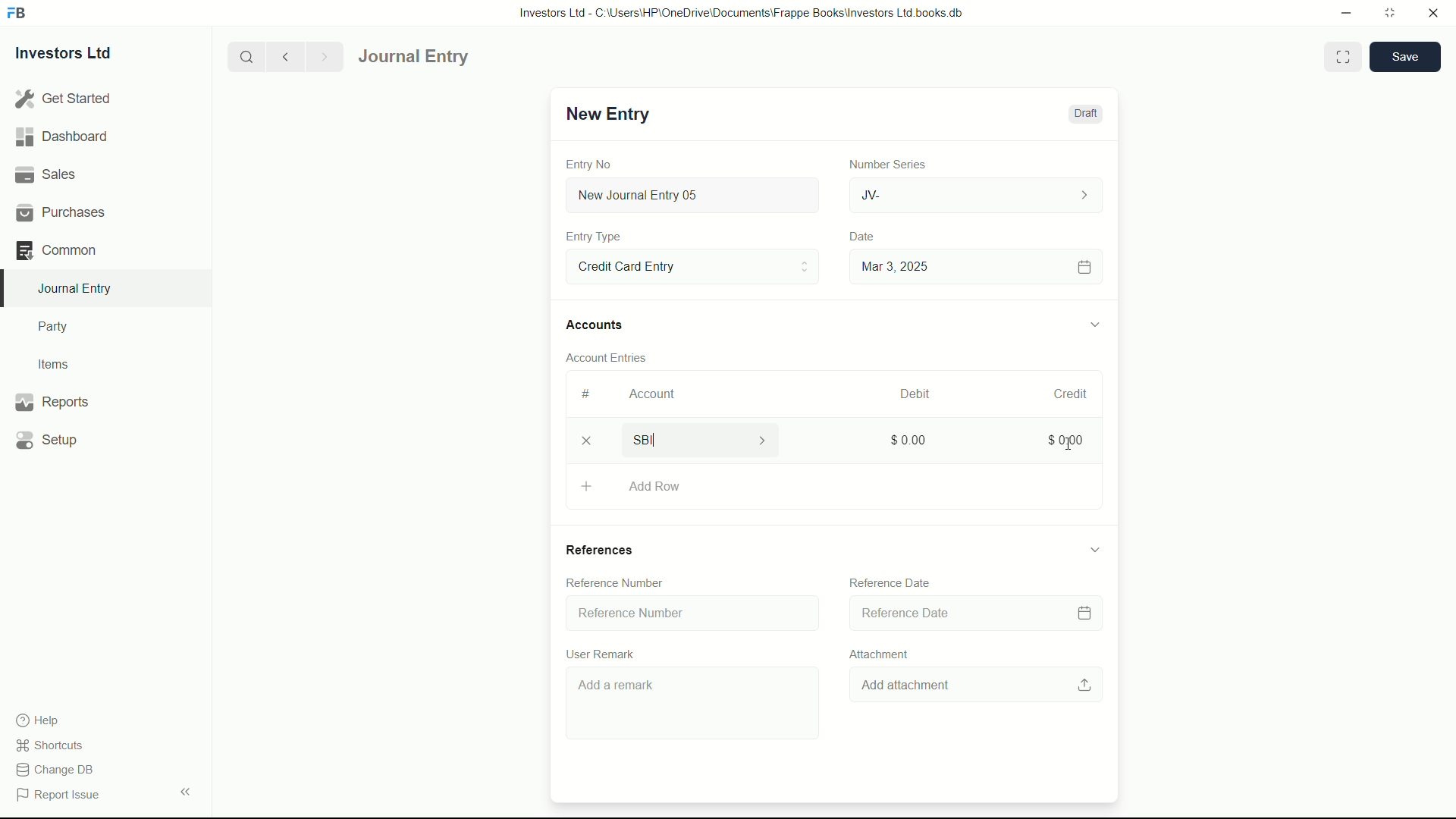 Image resolution: width=1456 pixels, height=819 pixels. I want to click on FrappeBooks logo, so click(17, 14).